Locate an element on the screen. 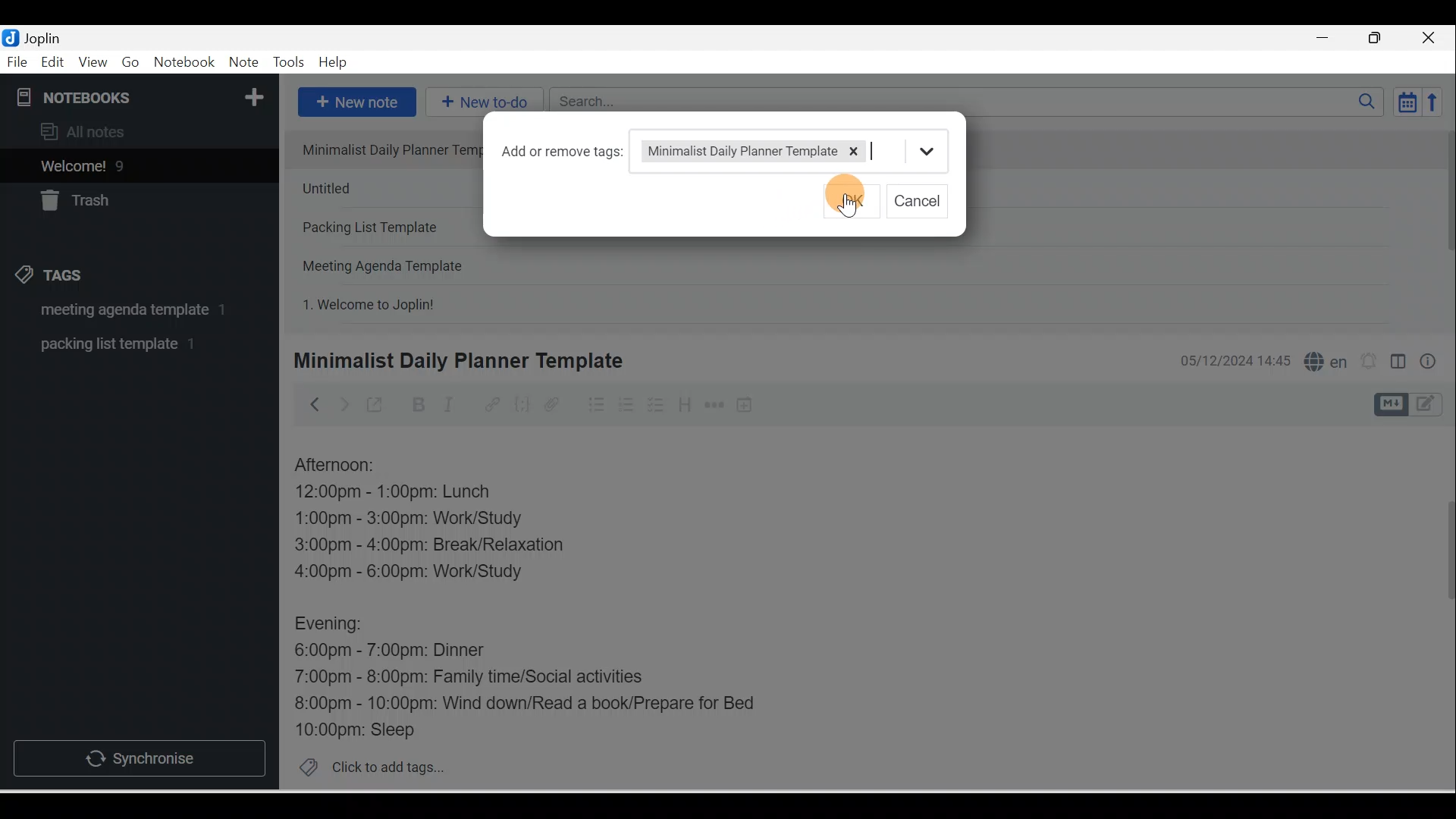 The width and height of the screenshot is (1456, 819). File is located at coordinates (18, 61).